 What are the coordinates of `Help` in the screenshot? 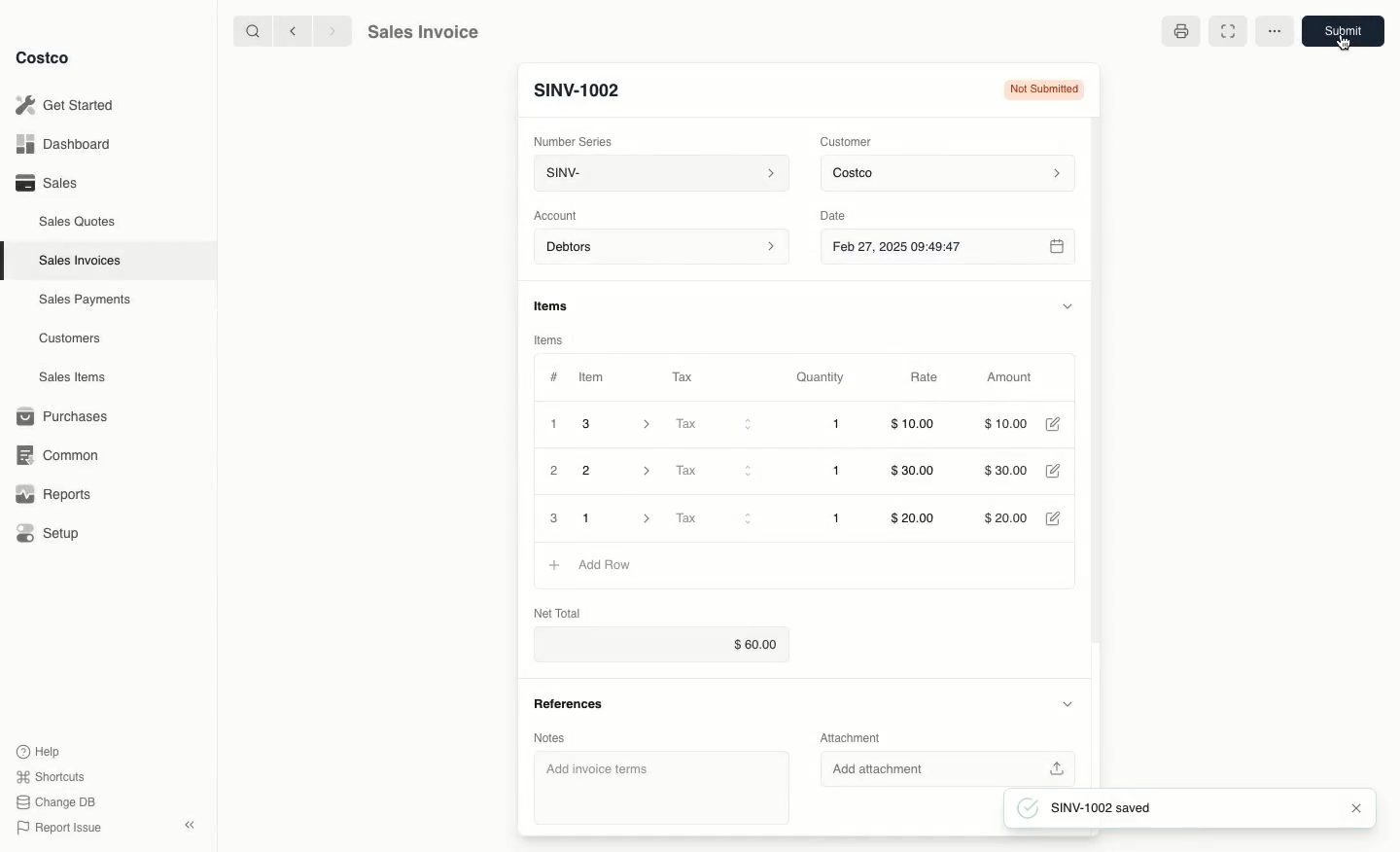 It's located at (40, 750).